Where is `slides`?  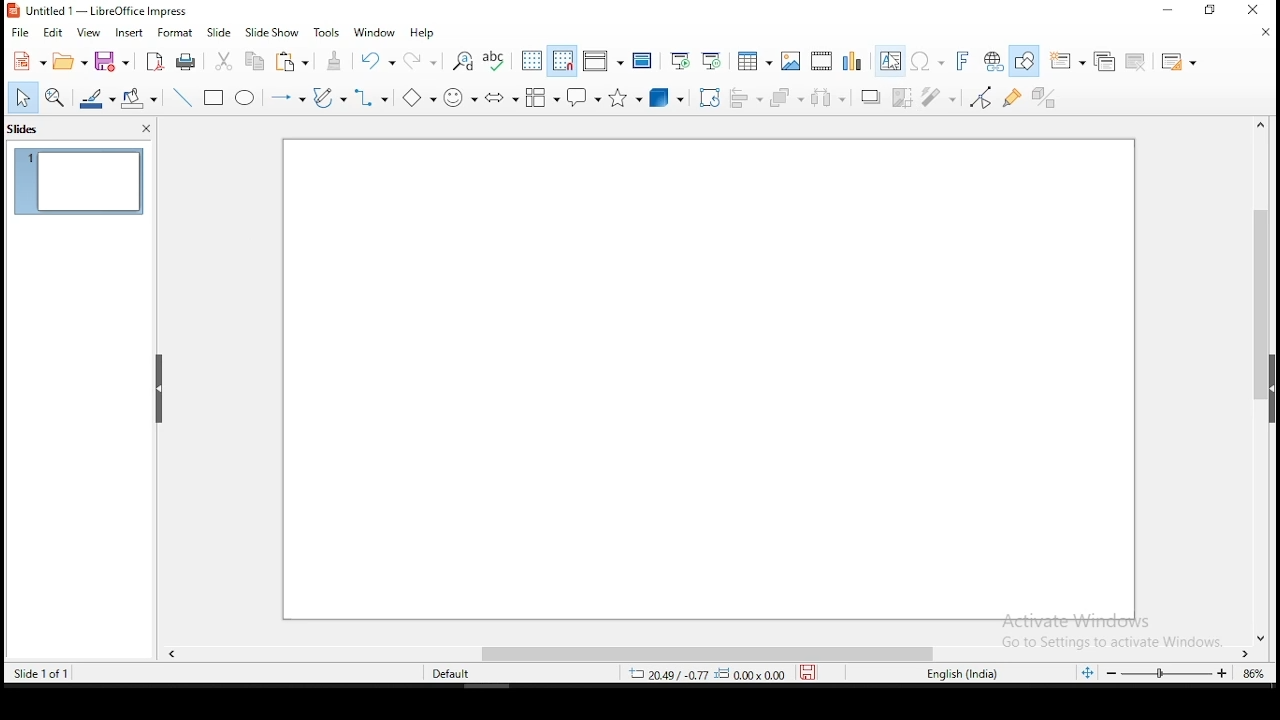 slides is located at coordinates (26, 130).